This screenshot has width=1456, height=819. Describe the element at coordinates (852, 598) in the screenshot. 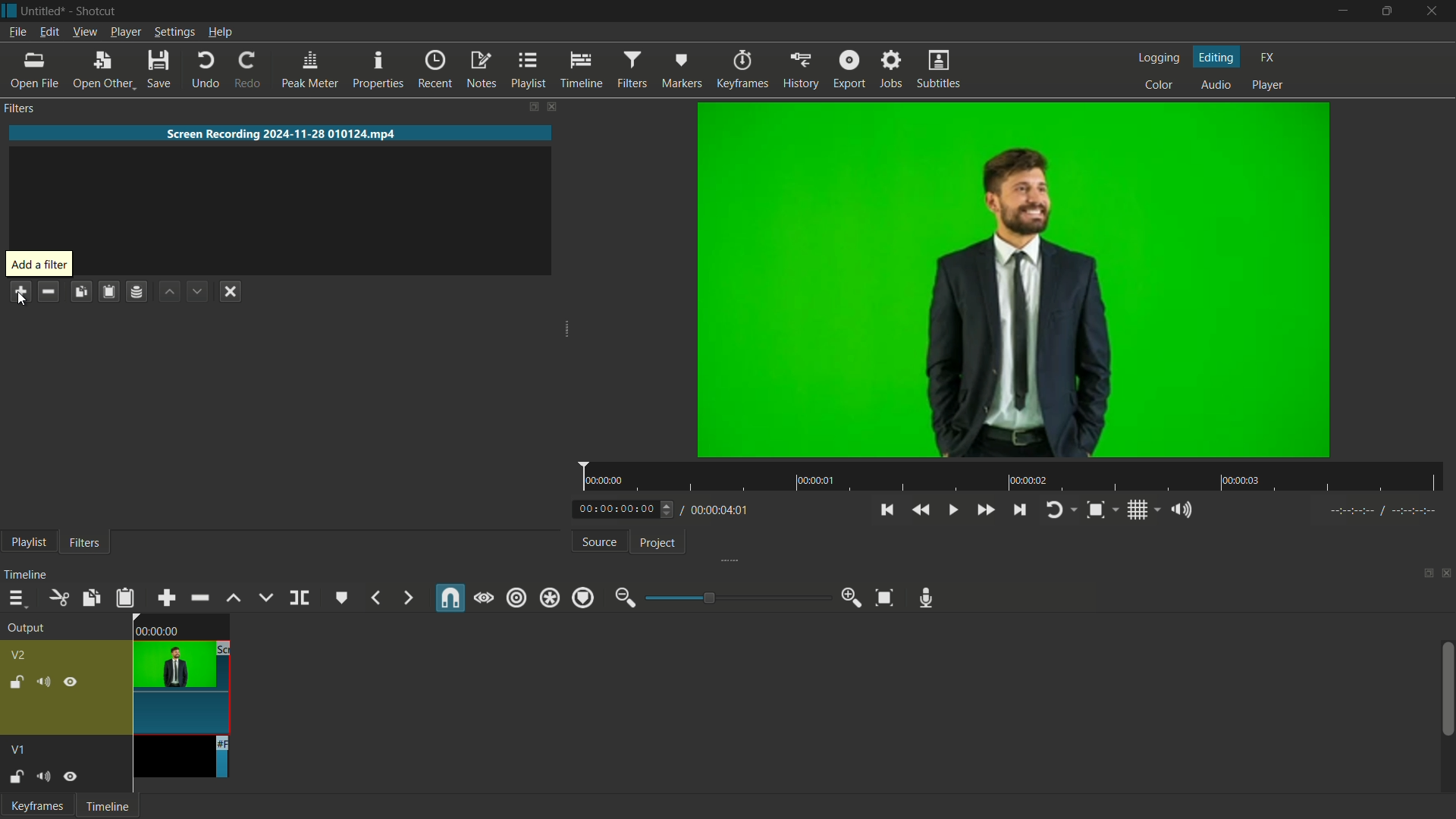

I see `zoom in` at that location.